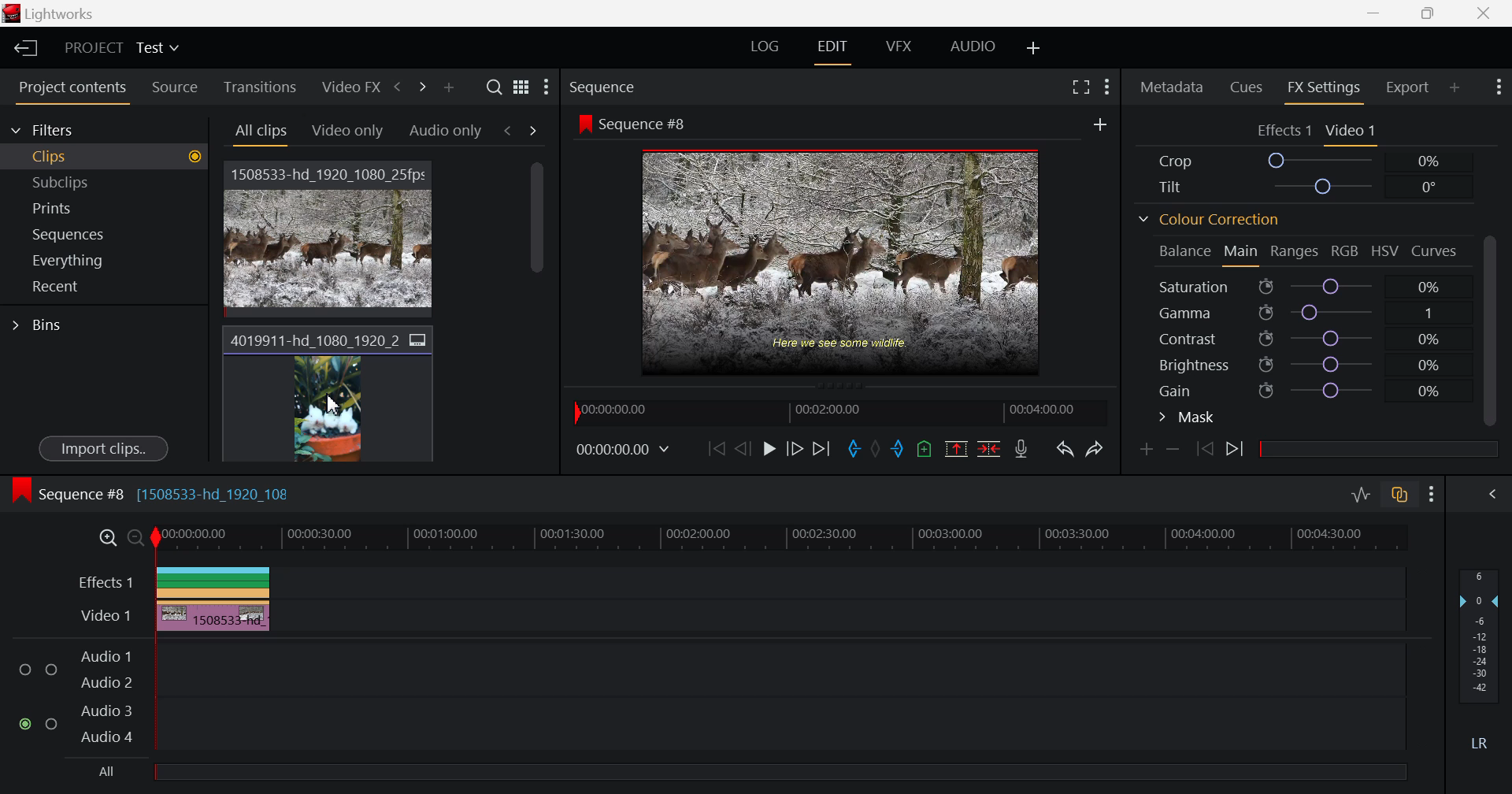  I want to click on Project Timeline, so click(783, 540).